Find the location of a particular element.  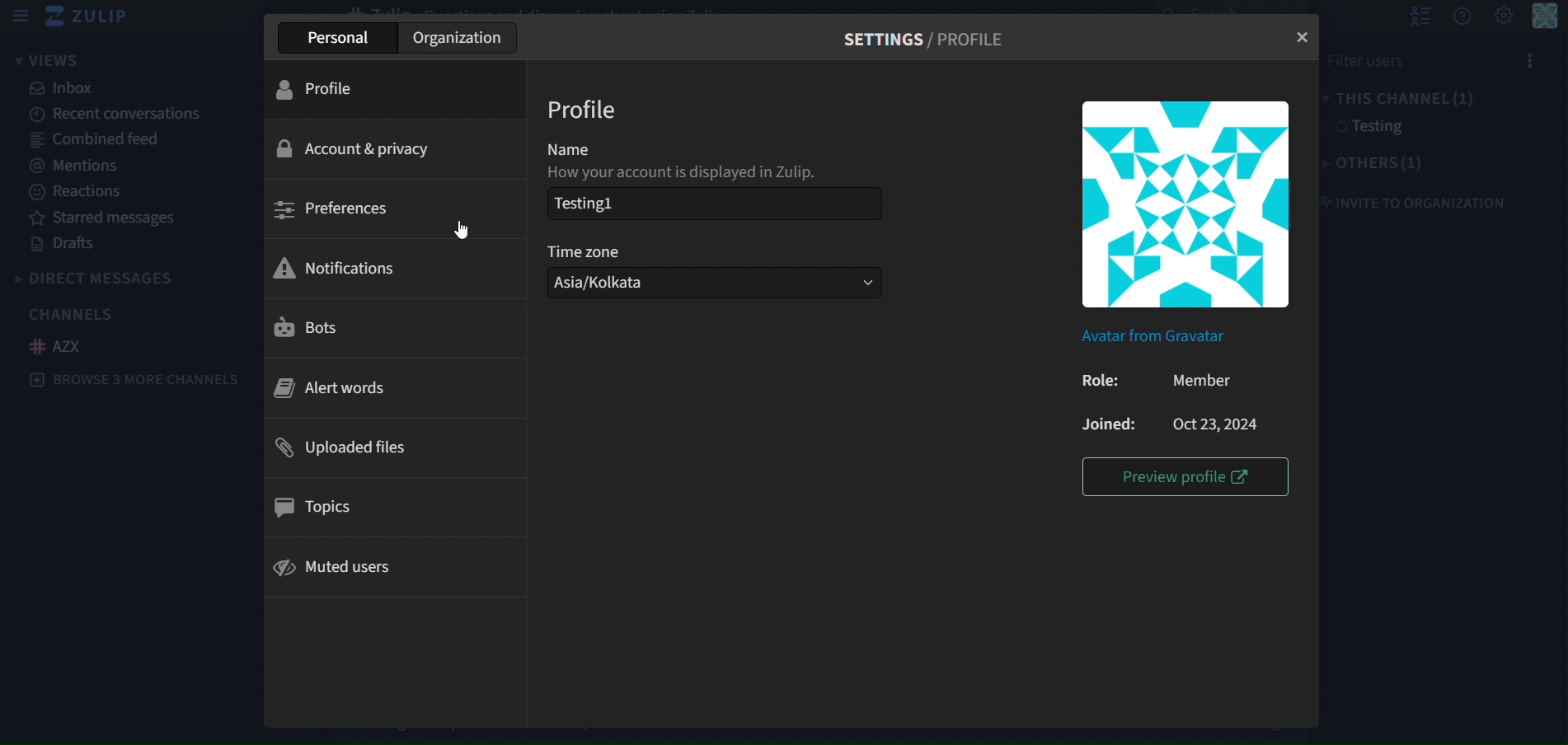

setting is located at coordinates (1503, 16).